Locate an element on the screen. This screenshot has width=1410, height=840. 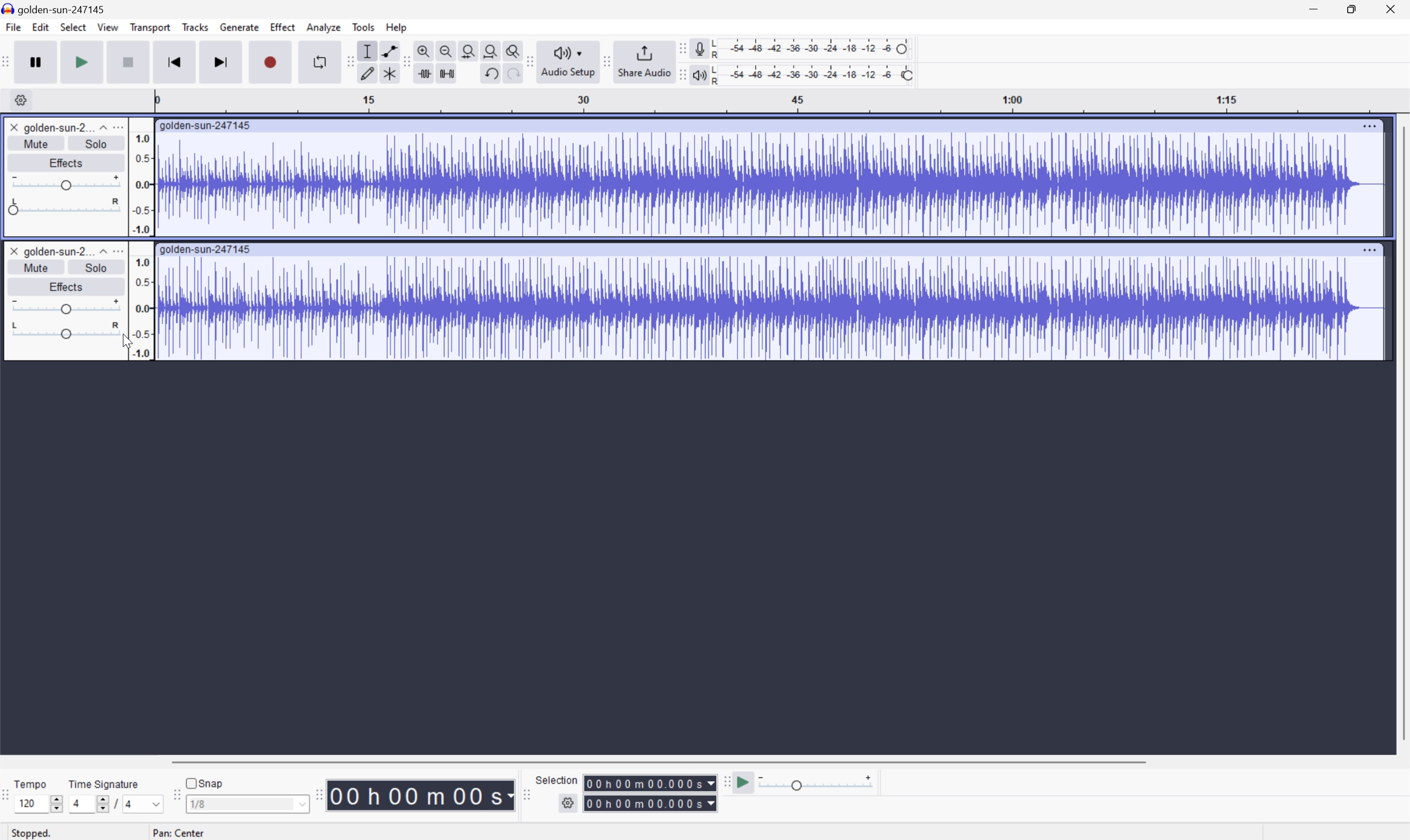
Zoom toggle is located at coordinates (511, 49).